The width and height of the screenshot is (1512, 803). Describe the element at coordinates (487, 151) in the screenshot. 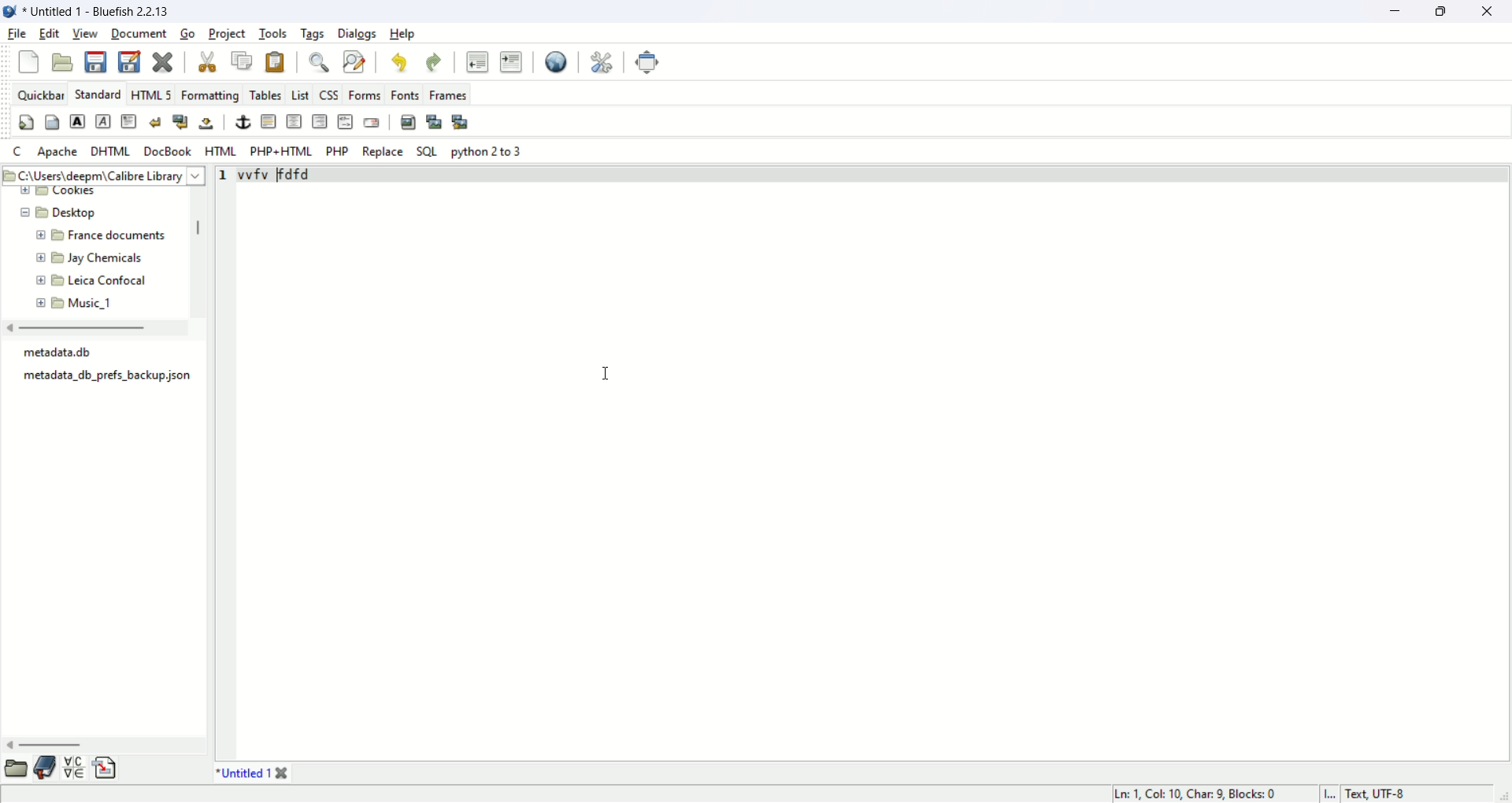

I see `python 2 to 3` at that location.